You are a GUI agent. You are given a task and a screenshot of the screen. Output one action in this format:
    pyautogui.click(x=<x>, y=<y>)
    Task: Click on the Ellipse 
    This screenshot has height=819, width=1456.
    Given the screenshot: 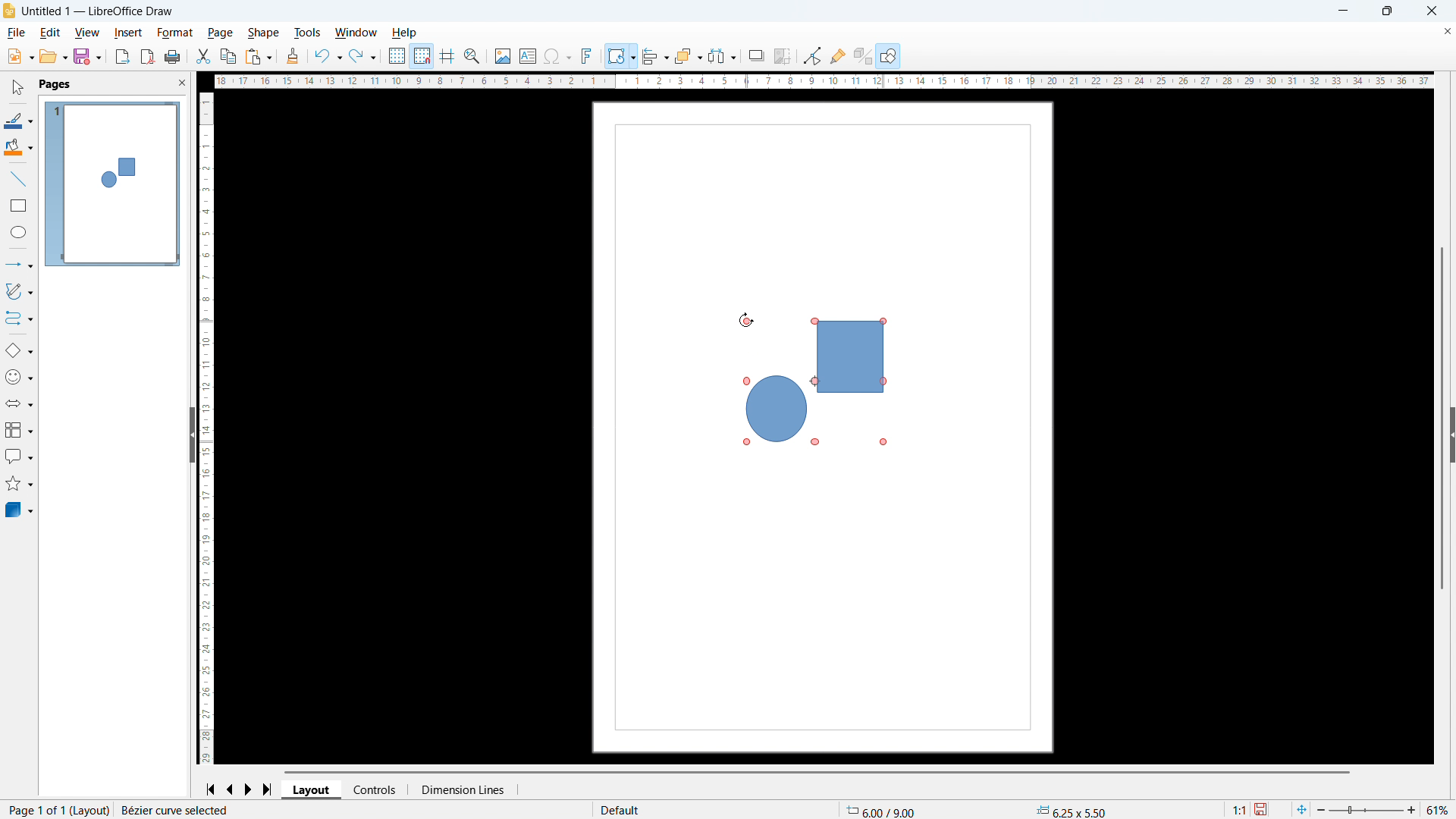 What is the action you would take?
    pyautogui.click(x=20, y=232)
    